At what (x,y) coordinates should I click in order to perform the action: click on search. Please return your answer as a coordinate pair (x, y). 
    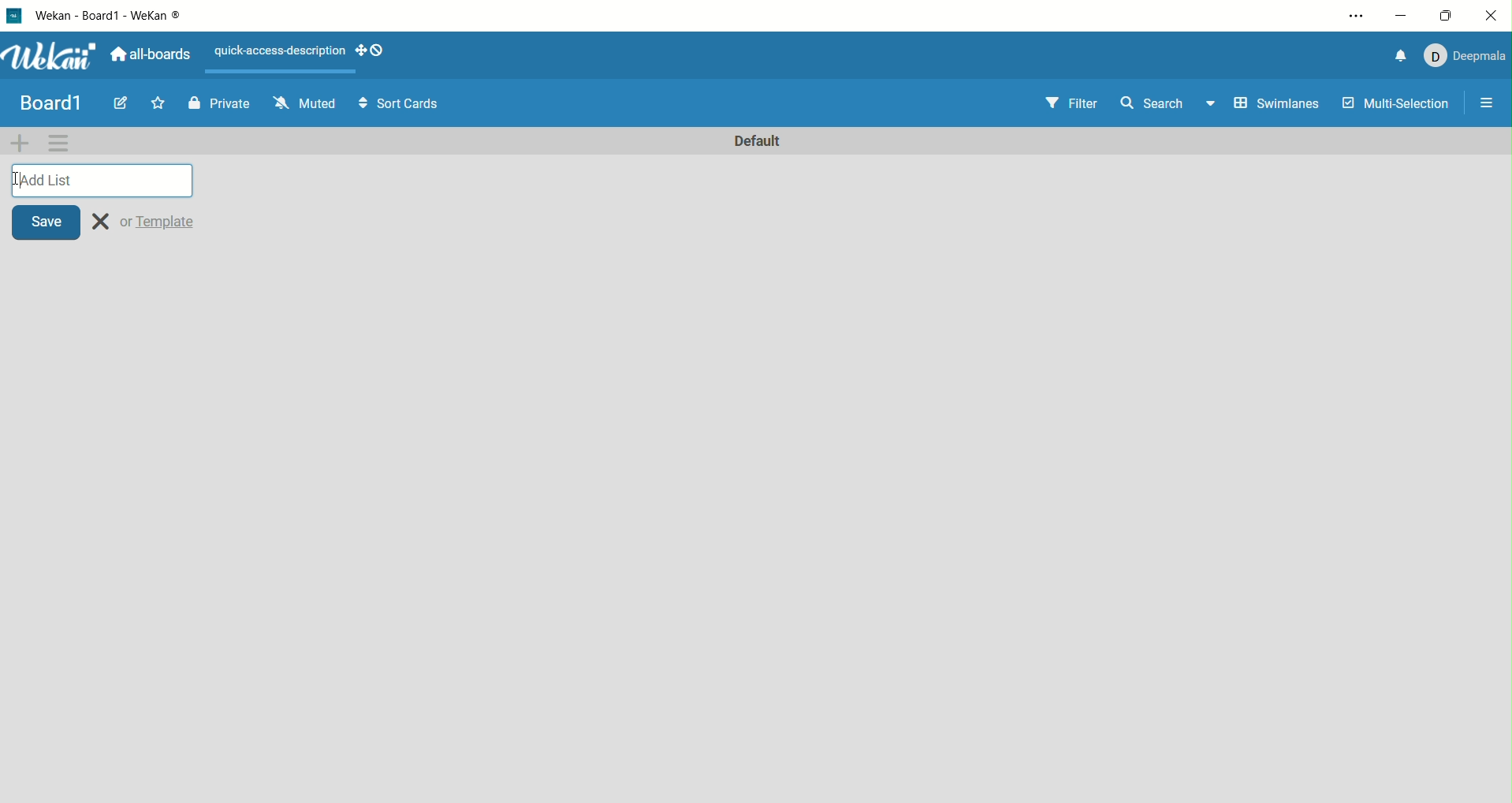
    Looking at the image, I should click on (1167, 105).